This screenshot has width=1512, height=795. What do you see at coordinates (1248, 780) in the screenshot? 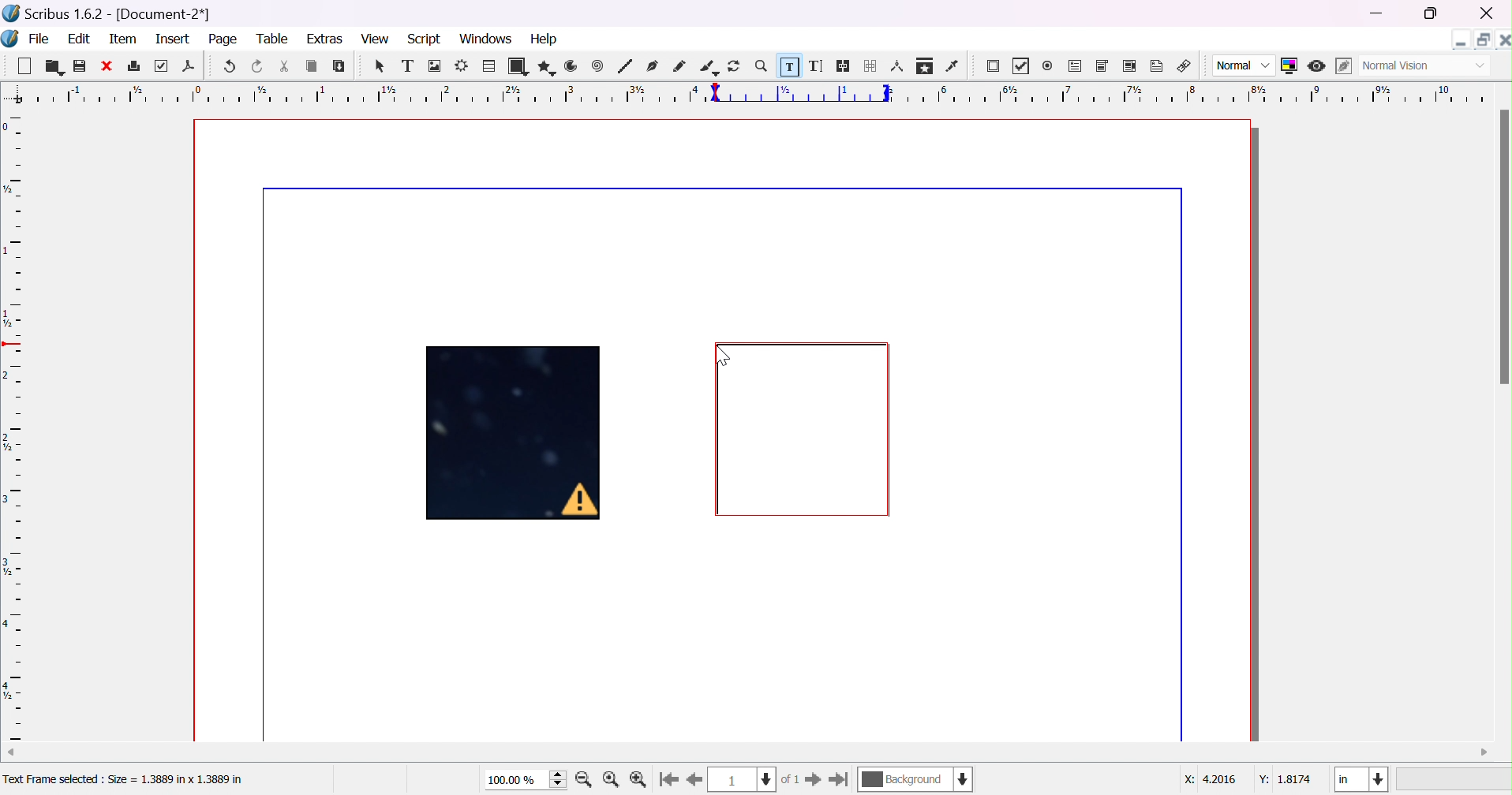
I see `X: 42016  Y: 1.8174` at bounding box center [1248, 780].